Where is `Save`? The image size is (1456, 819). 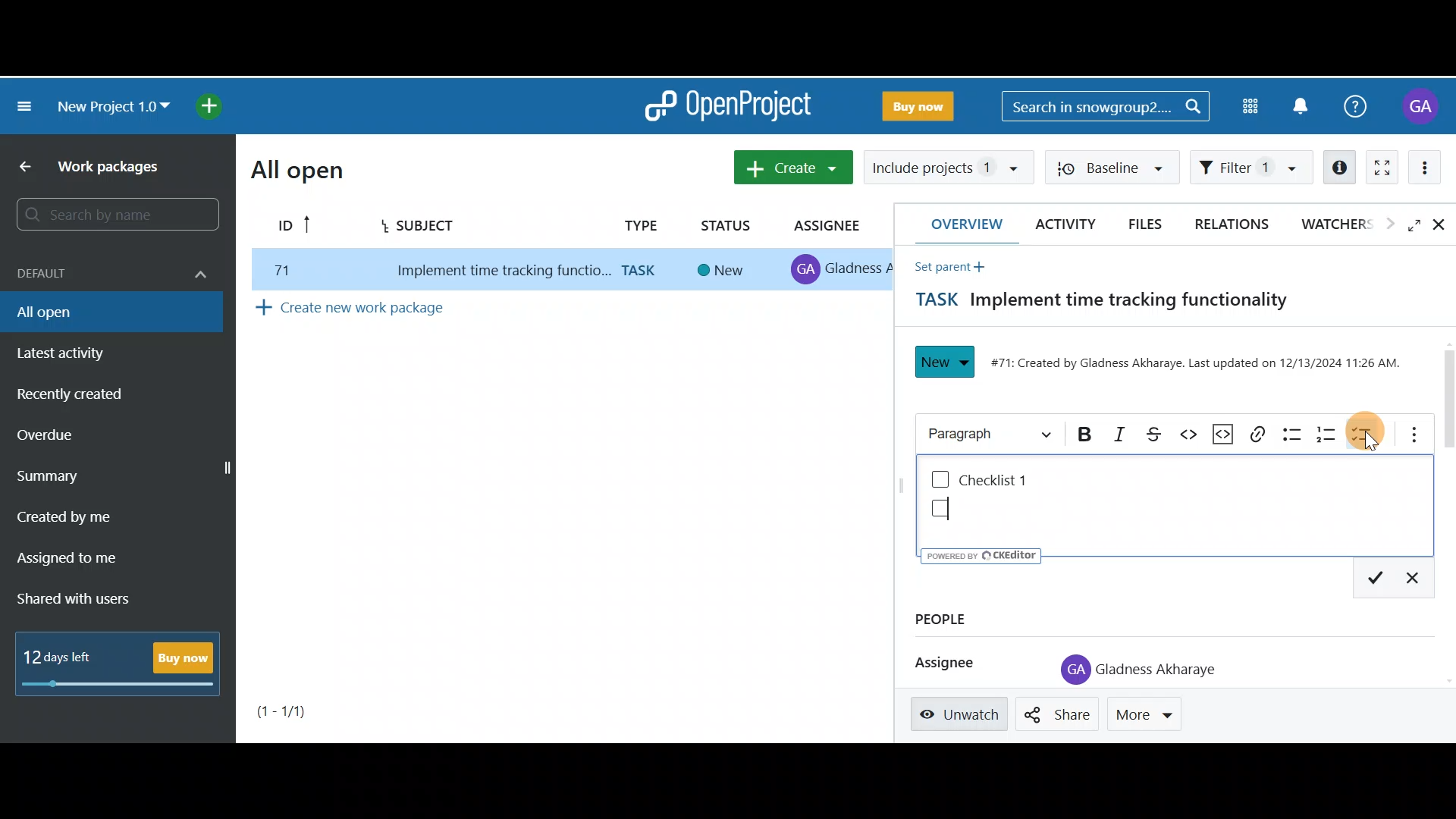 Save is located at coordinates (1379, 579).